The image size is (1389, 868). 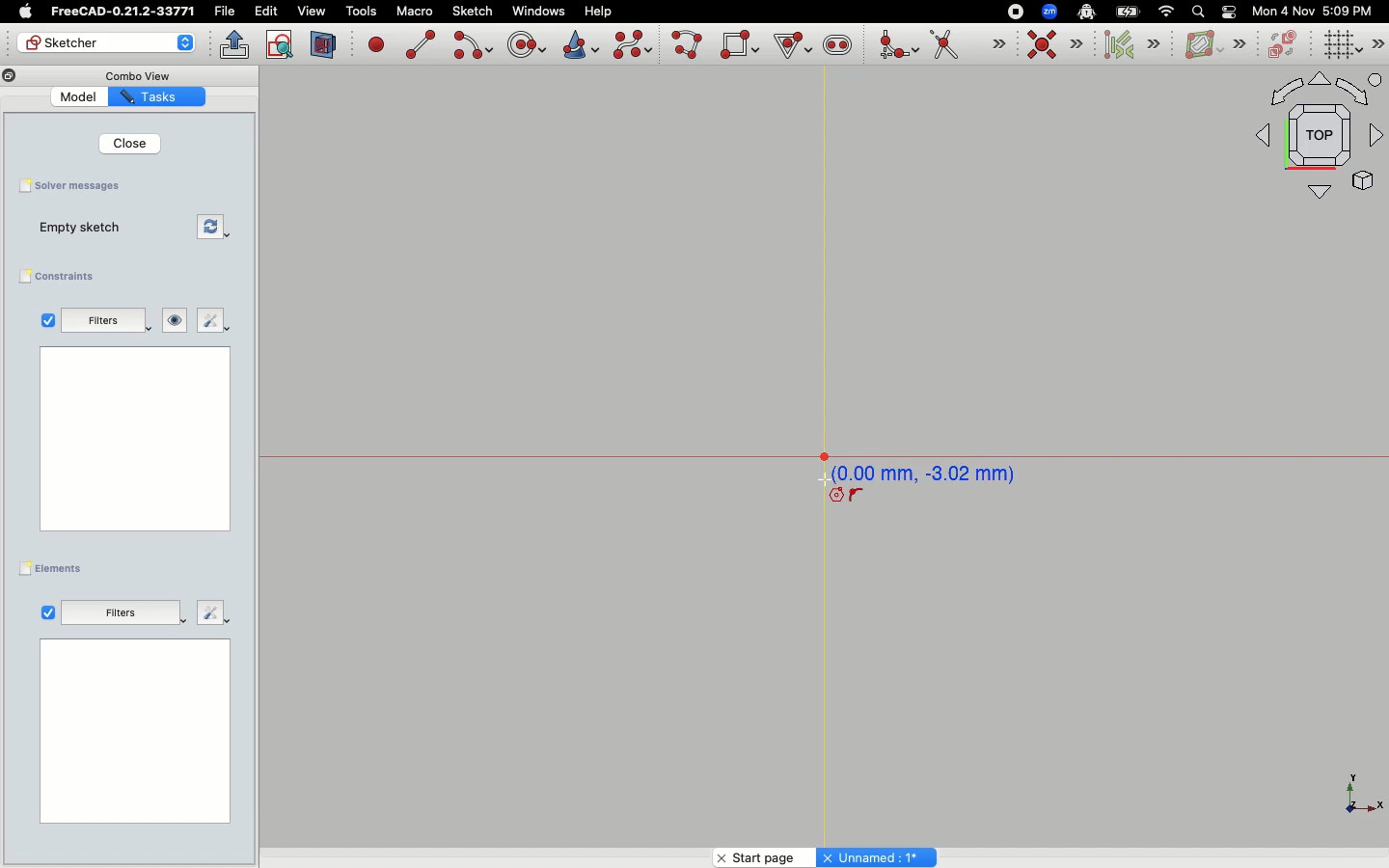 I want to click on Create point, so click(x=377, y=43).